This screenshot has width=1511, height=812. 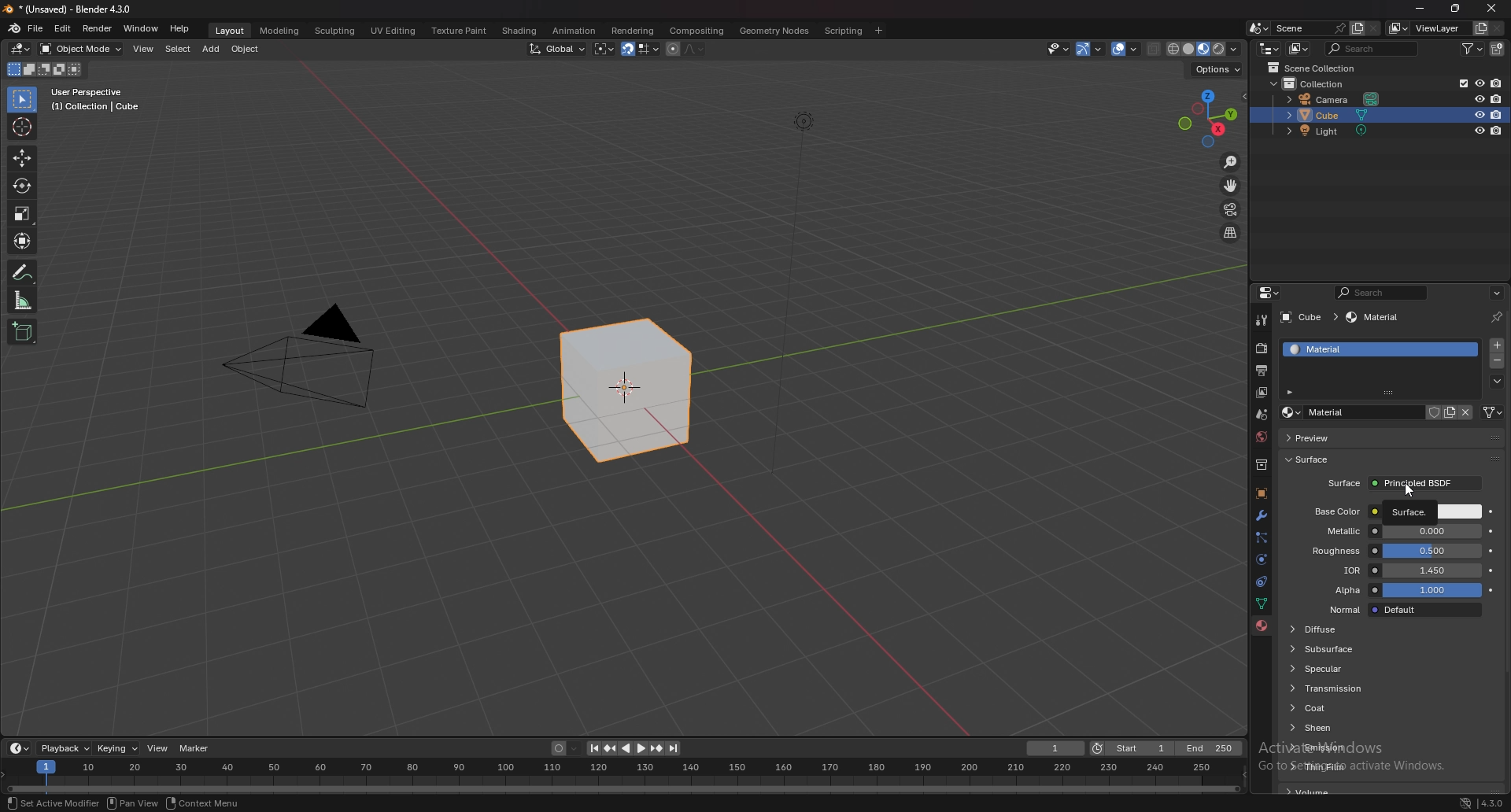 What do you see at coordinates (564, 749) in the screenshot?
I see `auto keying` at bounding box center [564, 749].